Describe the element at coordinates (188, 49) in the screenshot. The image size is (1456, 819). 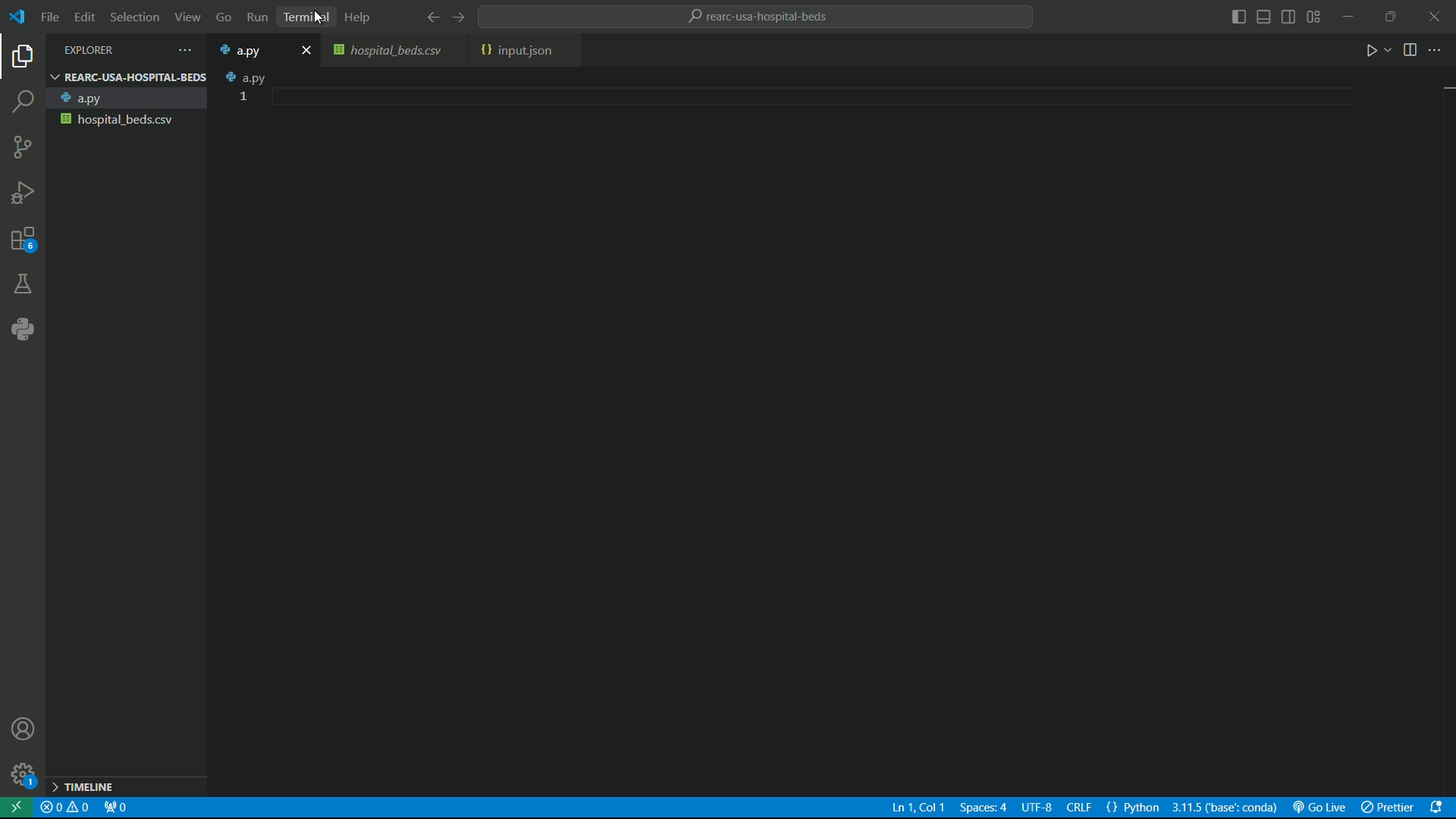
I see `views and more actions` at that location.